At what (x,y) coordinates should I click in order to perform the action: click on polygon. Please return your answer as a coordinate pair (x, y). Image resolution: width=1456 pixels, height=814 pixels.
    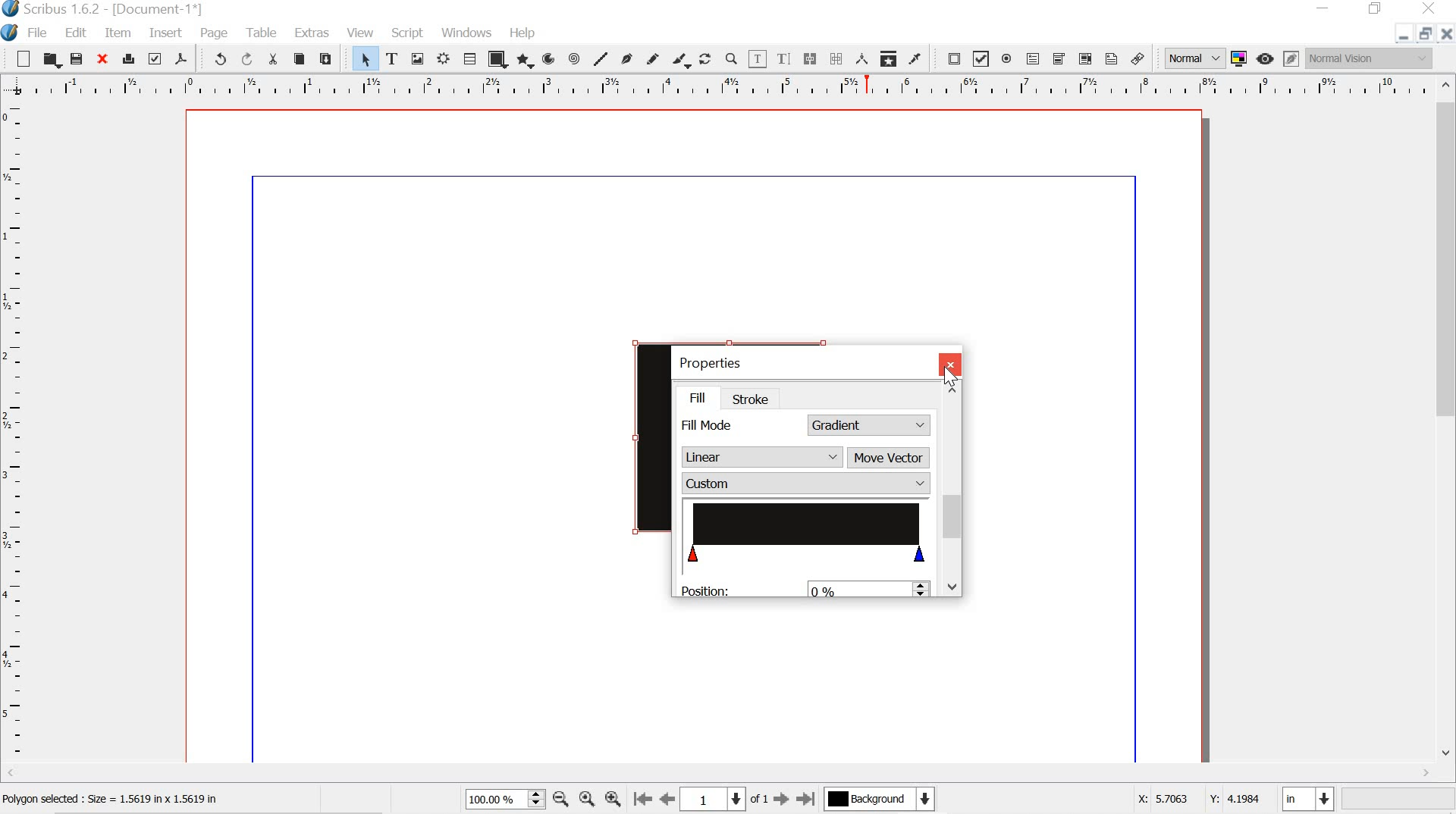
    Looking at the image, I should click on (526, 61).